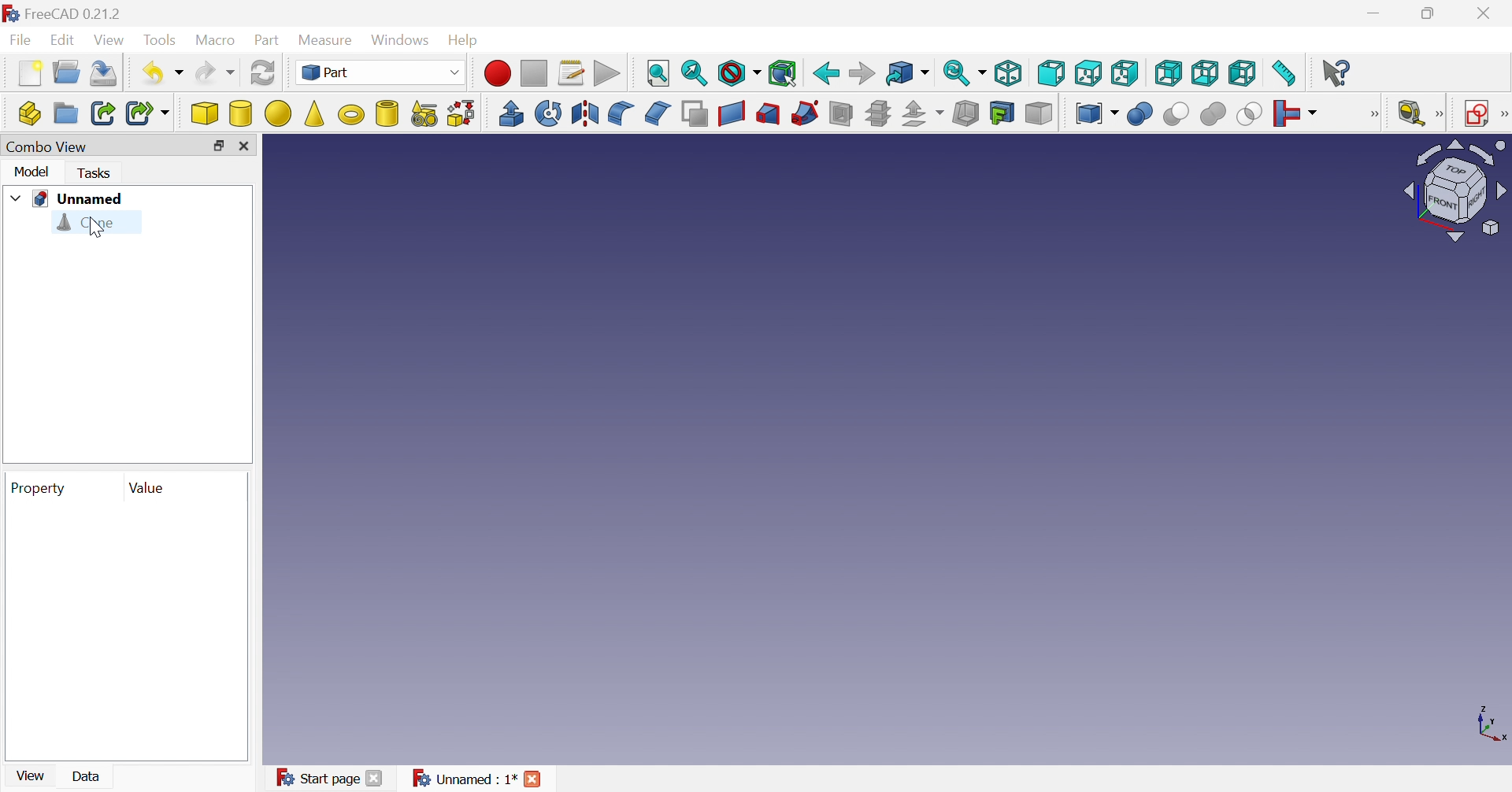 The height and width of the screenshot is (792, 1512). I want to click on Open, so click(65, 73).